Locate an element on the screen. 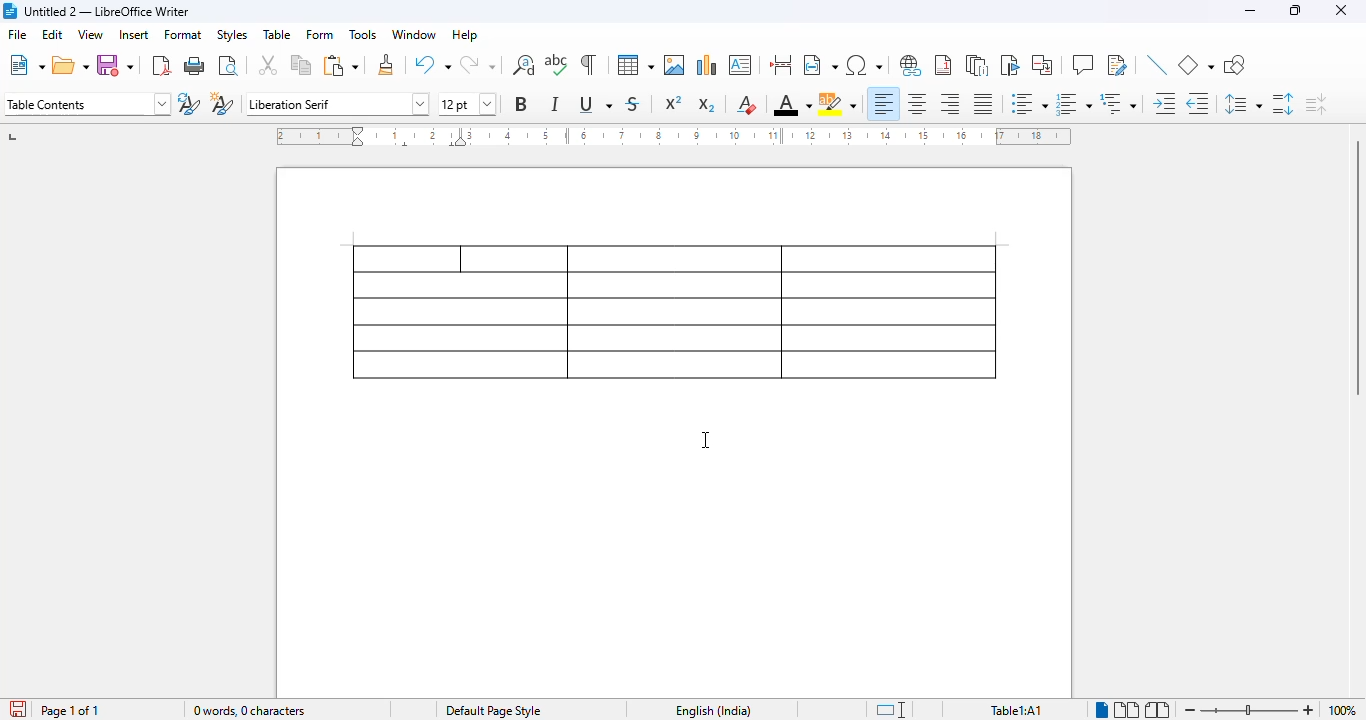 The image size is (1366, 720). click to save the document is located at coordinates (18, 709).